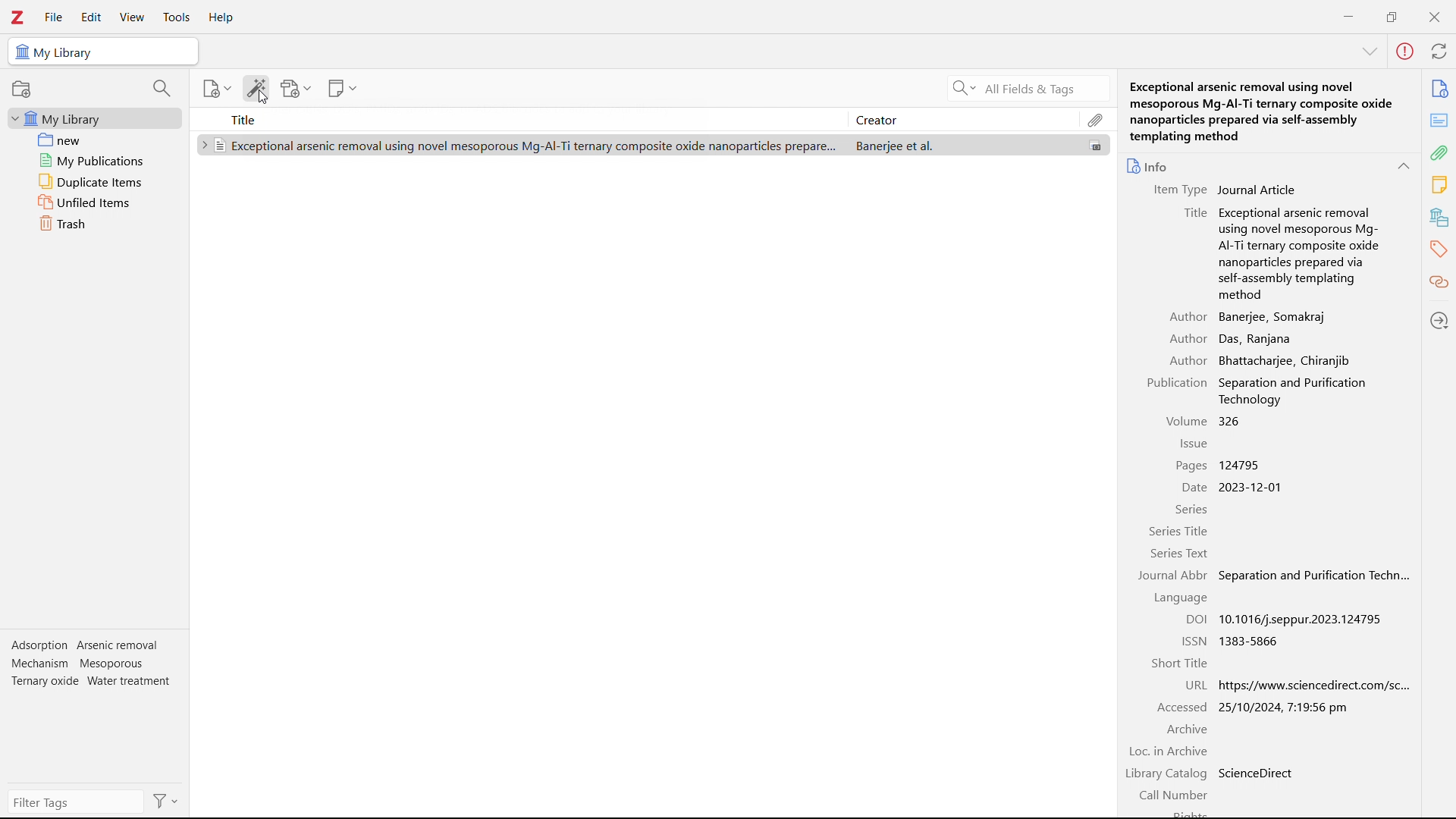 The image size is (1456, 819). What do you see at coordinates (519, 144) in the screenshot?
I see `Exceptional arsenic removal using novel Mesoporous Mg-Al-Ti ternary composite oxides nanoparticles prepared via Self-Assembly templating method` at bounding box center [519, 144].